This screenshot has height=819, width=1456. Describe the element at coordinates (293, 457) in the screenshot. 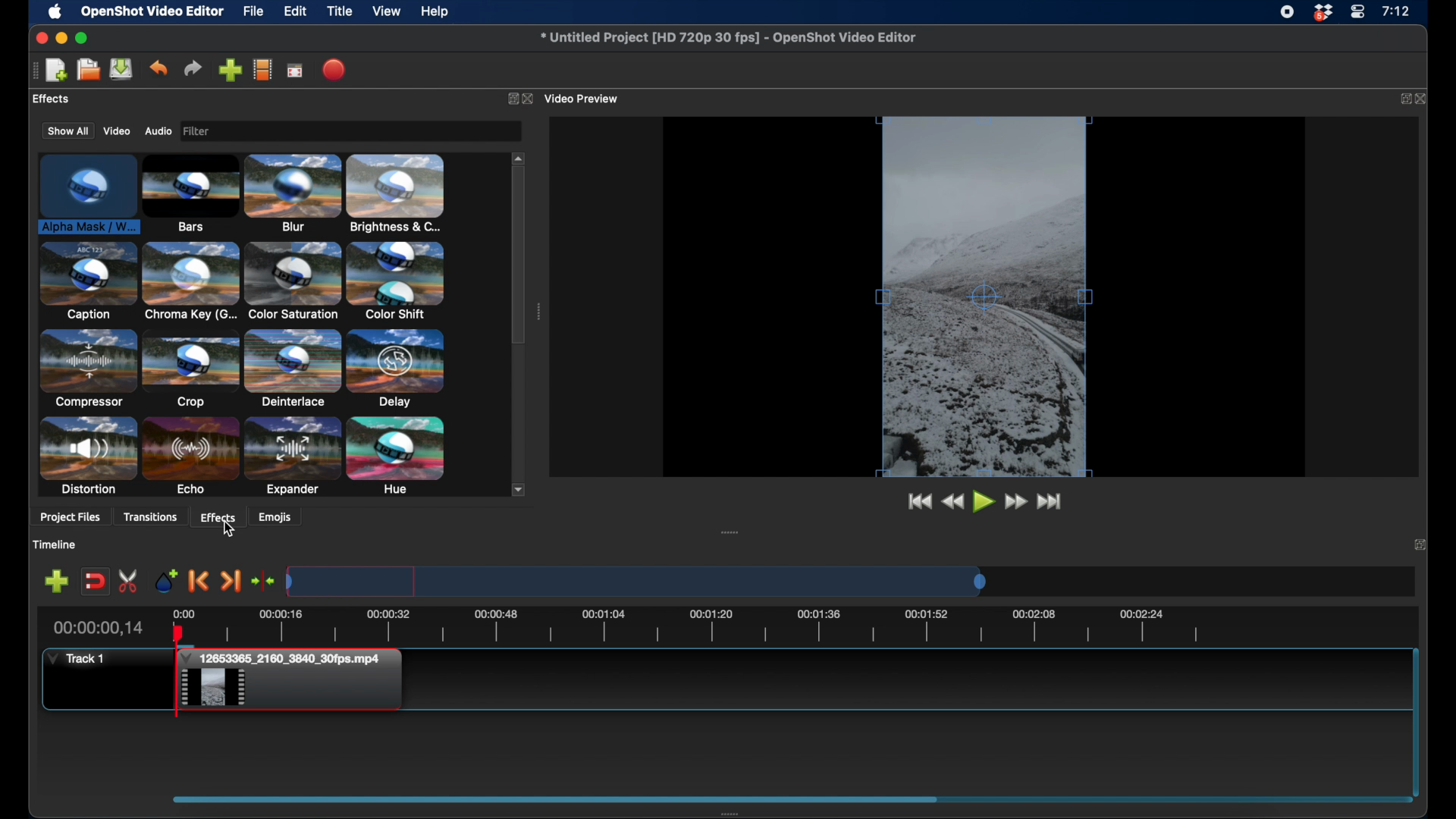

I see `expander` at that location.